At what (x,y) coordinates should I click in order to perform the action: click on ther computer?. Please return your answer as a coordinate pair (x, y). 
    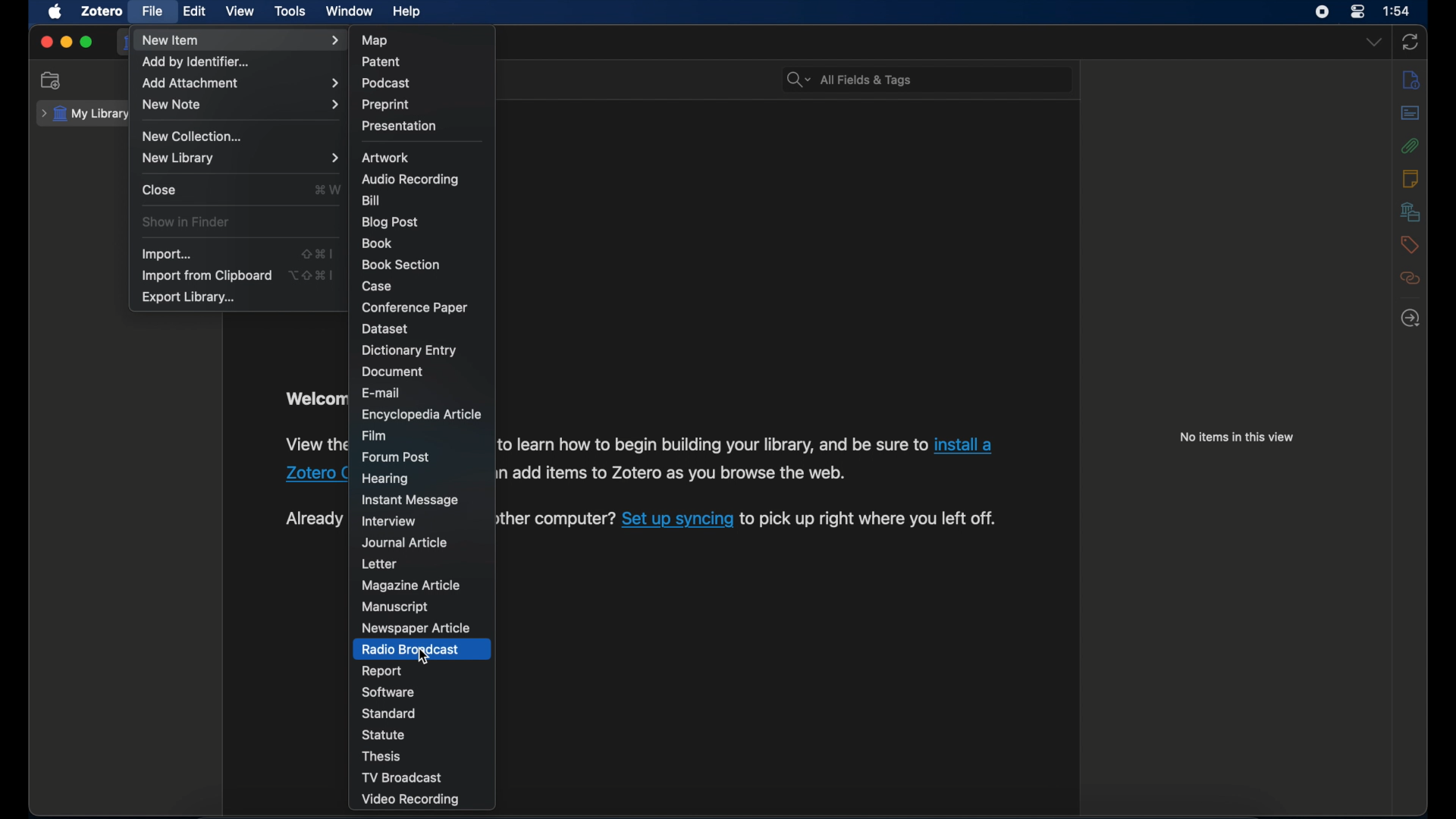
    Looking at the image, I should click on (557, 519).